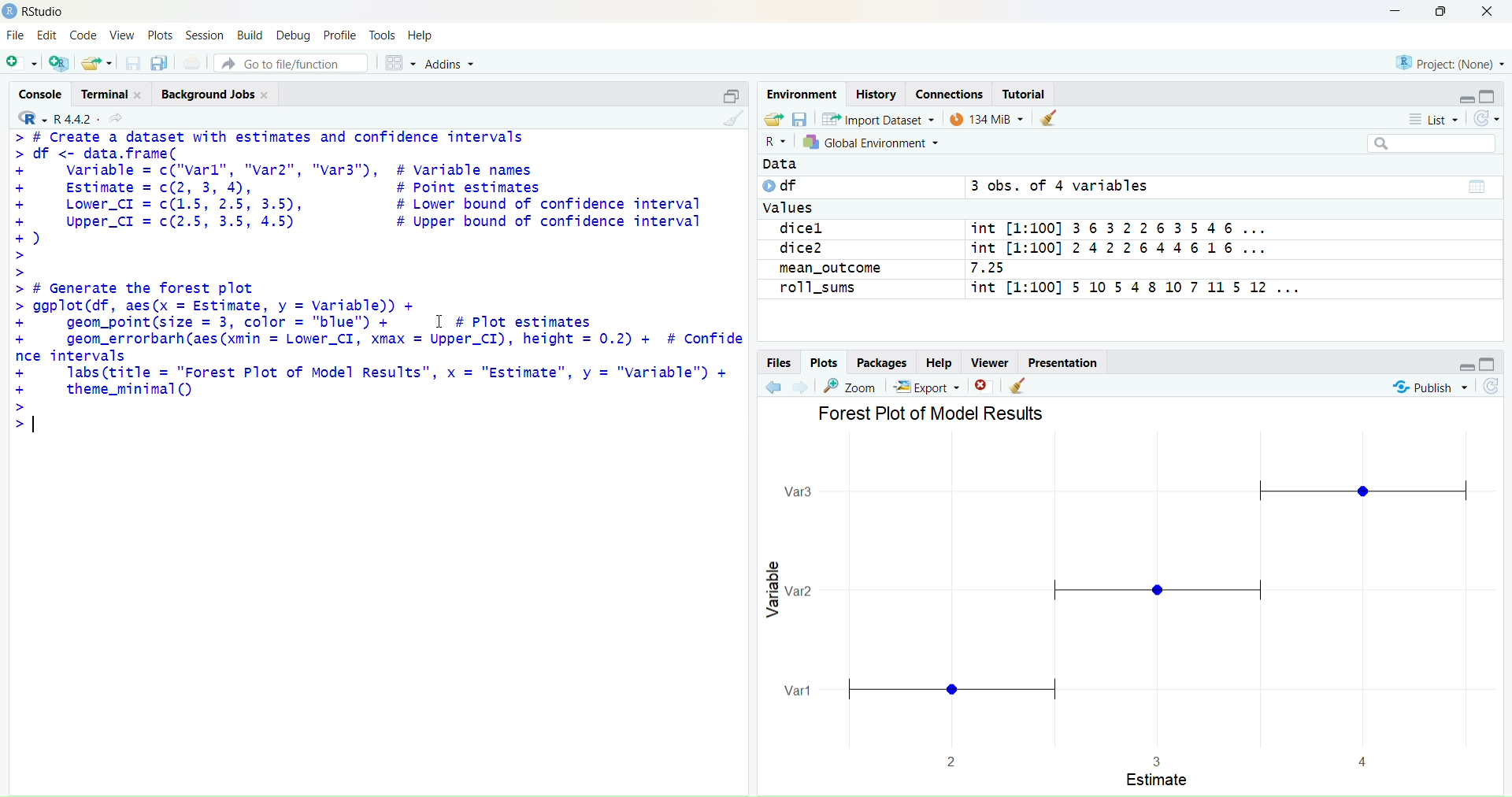 The width and height of the screenshot is (1512, 797). Describe the element at coordinates (1488, 13) in the screenshot. I see `close` at that location.